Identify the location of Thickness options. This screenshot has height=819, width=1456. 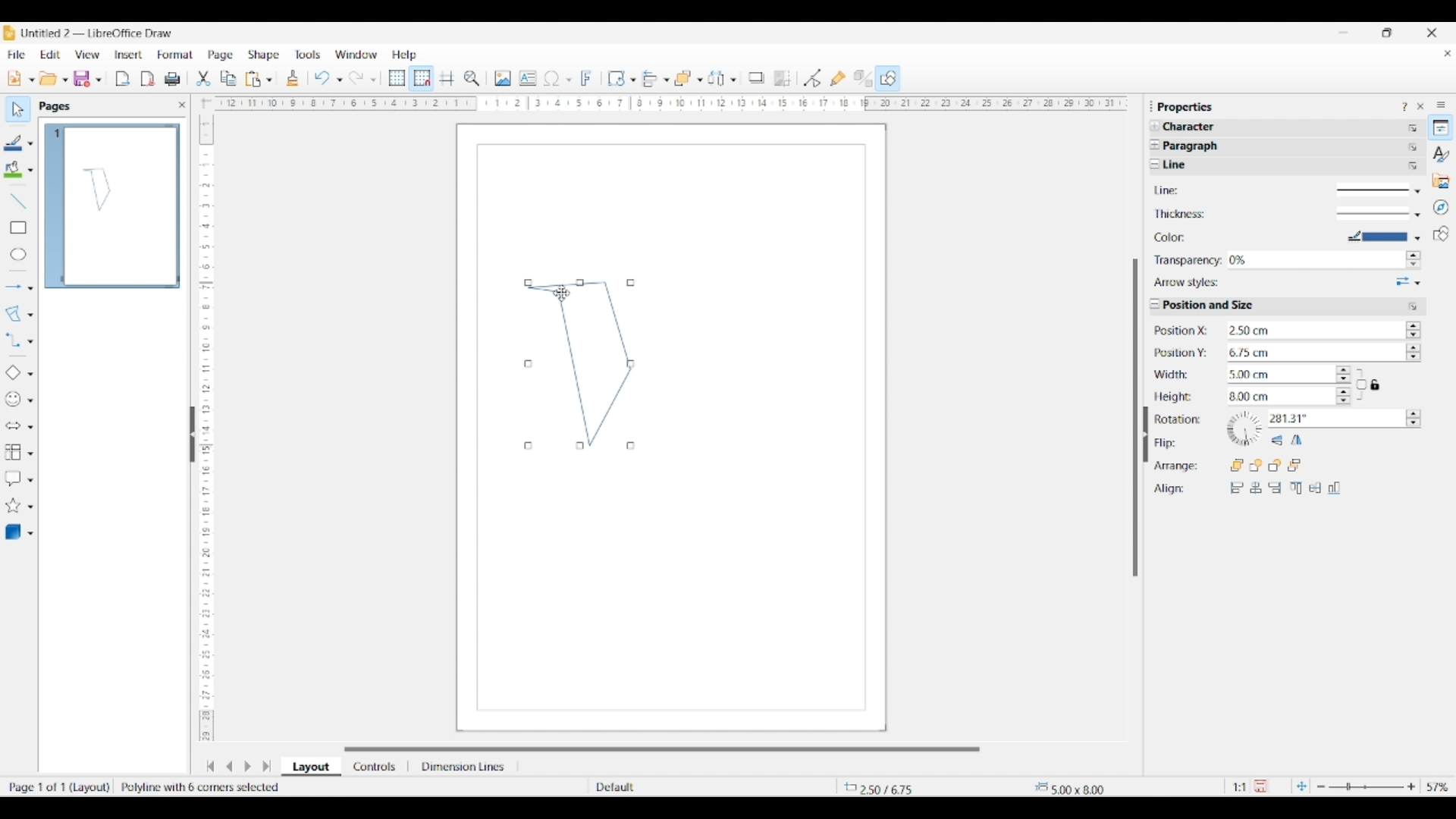
(1379, 215).